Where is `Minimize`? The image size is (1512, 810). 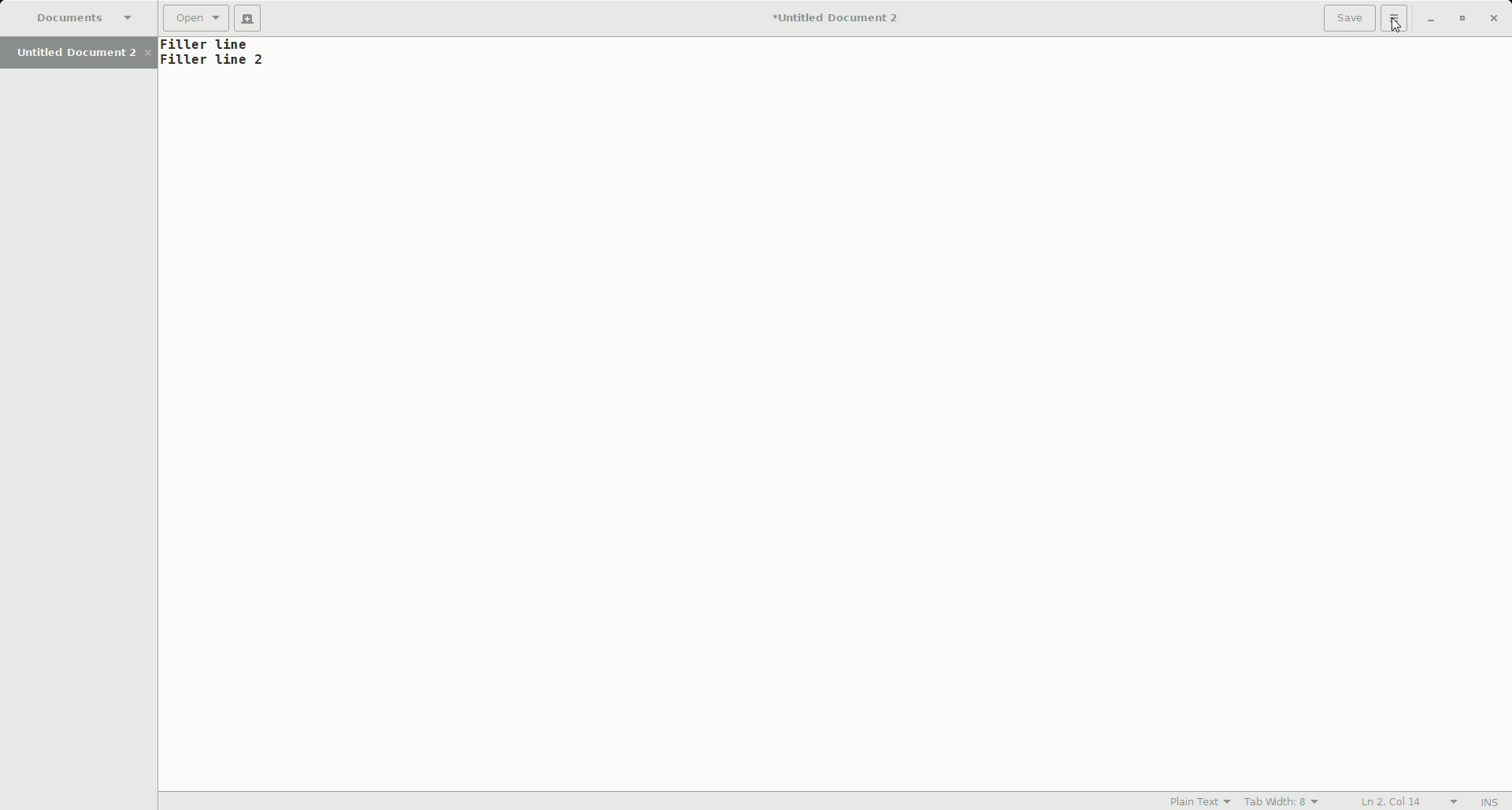
Minimize is located at coordinates (1430, 19).